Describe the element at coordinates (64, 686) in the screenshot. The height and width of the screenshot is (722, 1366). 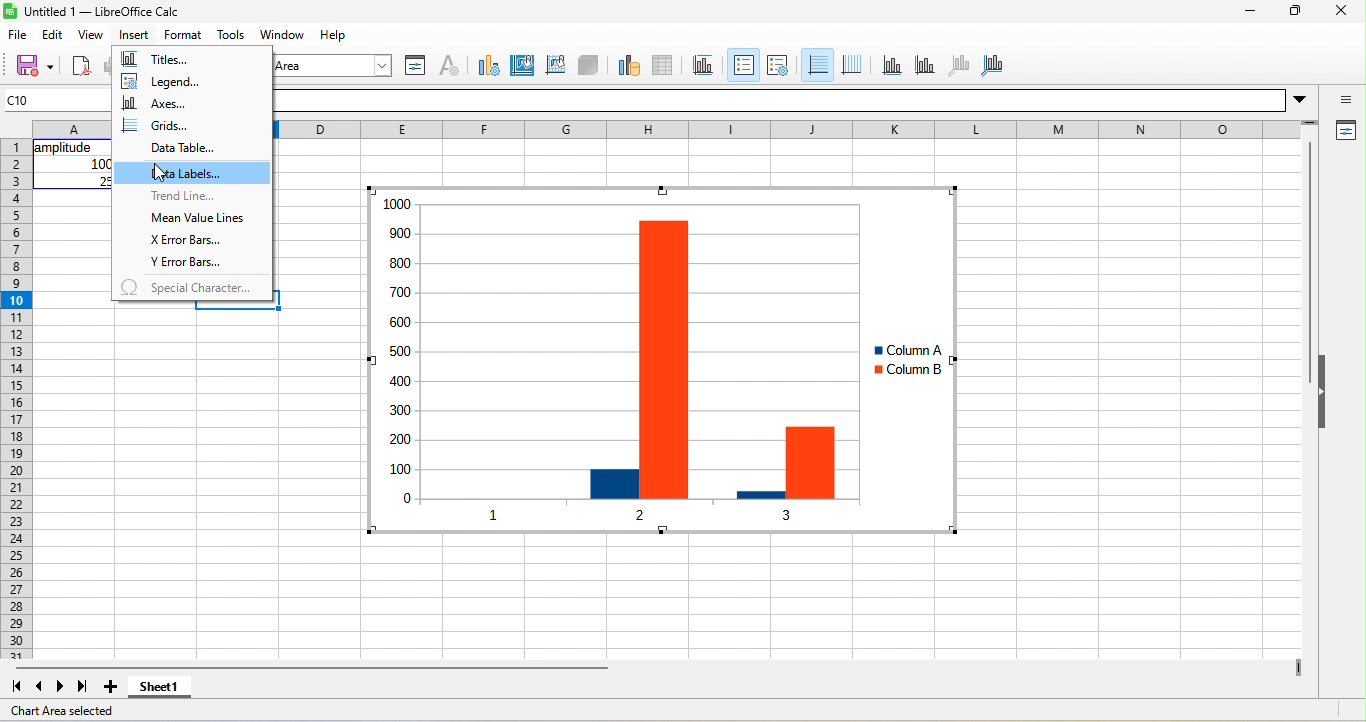
I see `next sheet` at that location.